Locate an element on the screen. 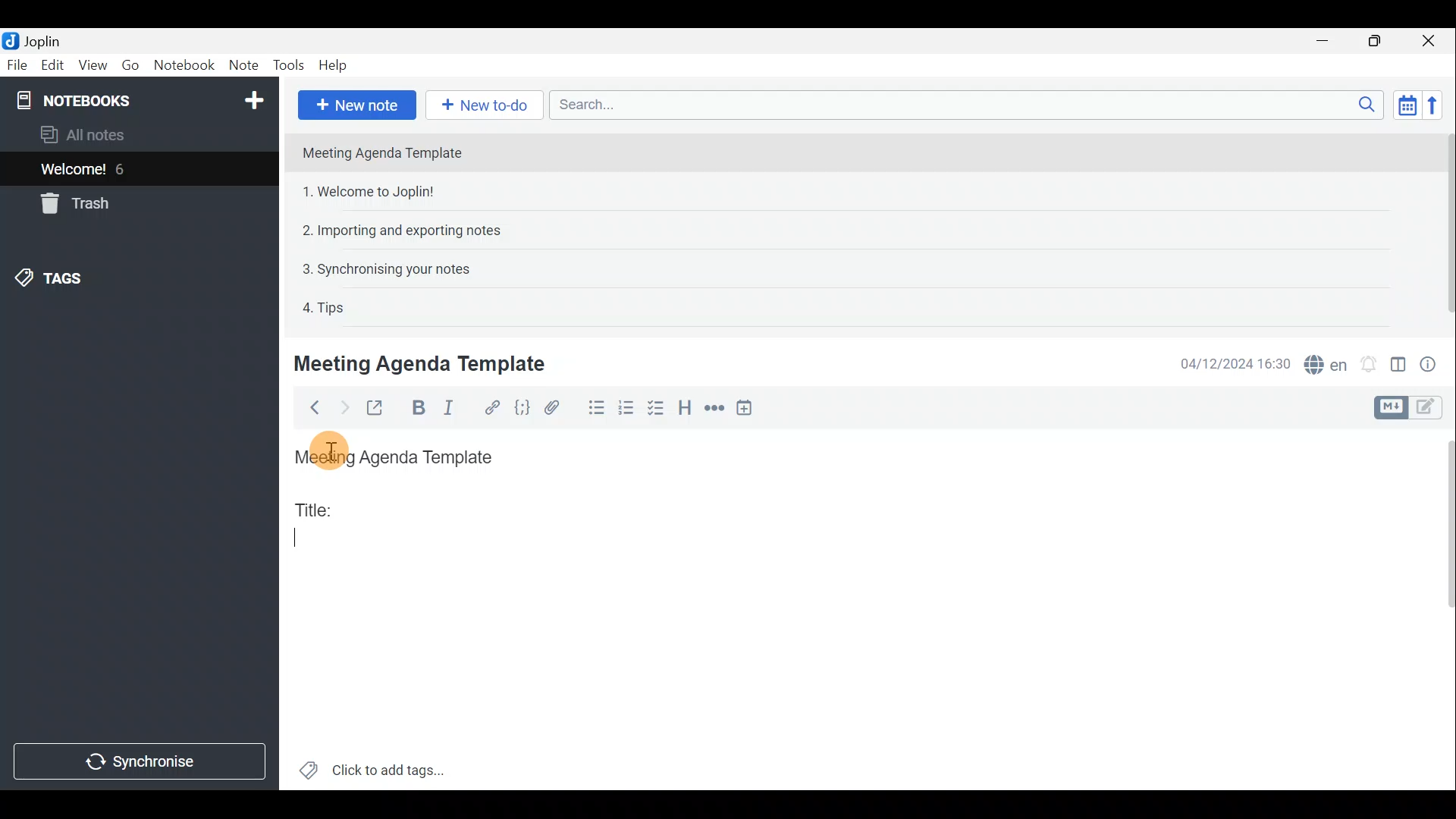  Toggle external editing is located at coordinates (379, 409).